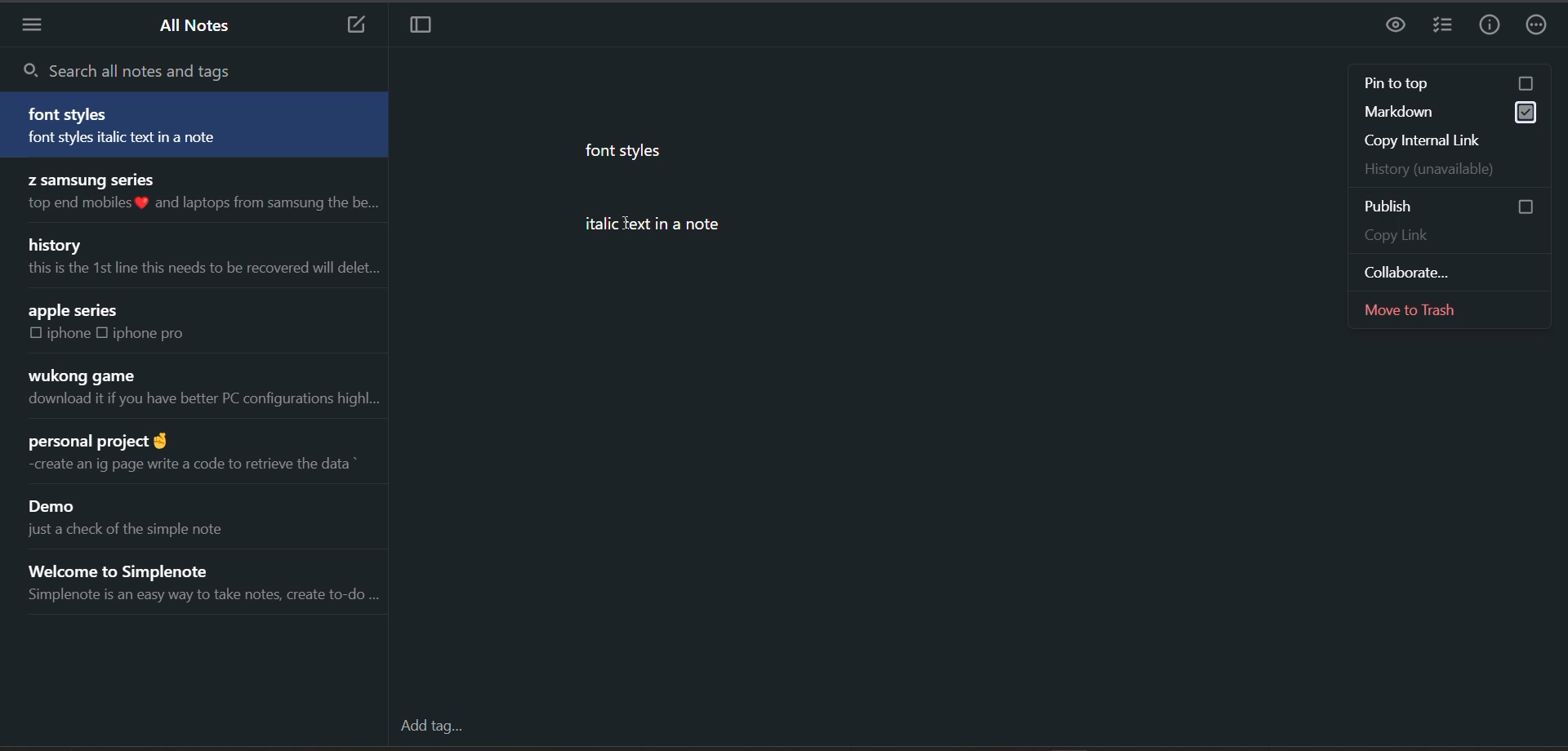 The width and height of the screenshot is (1568, 751). I want to click on add new note, so click(354, 26).